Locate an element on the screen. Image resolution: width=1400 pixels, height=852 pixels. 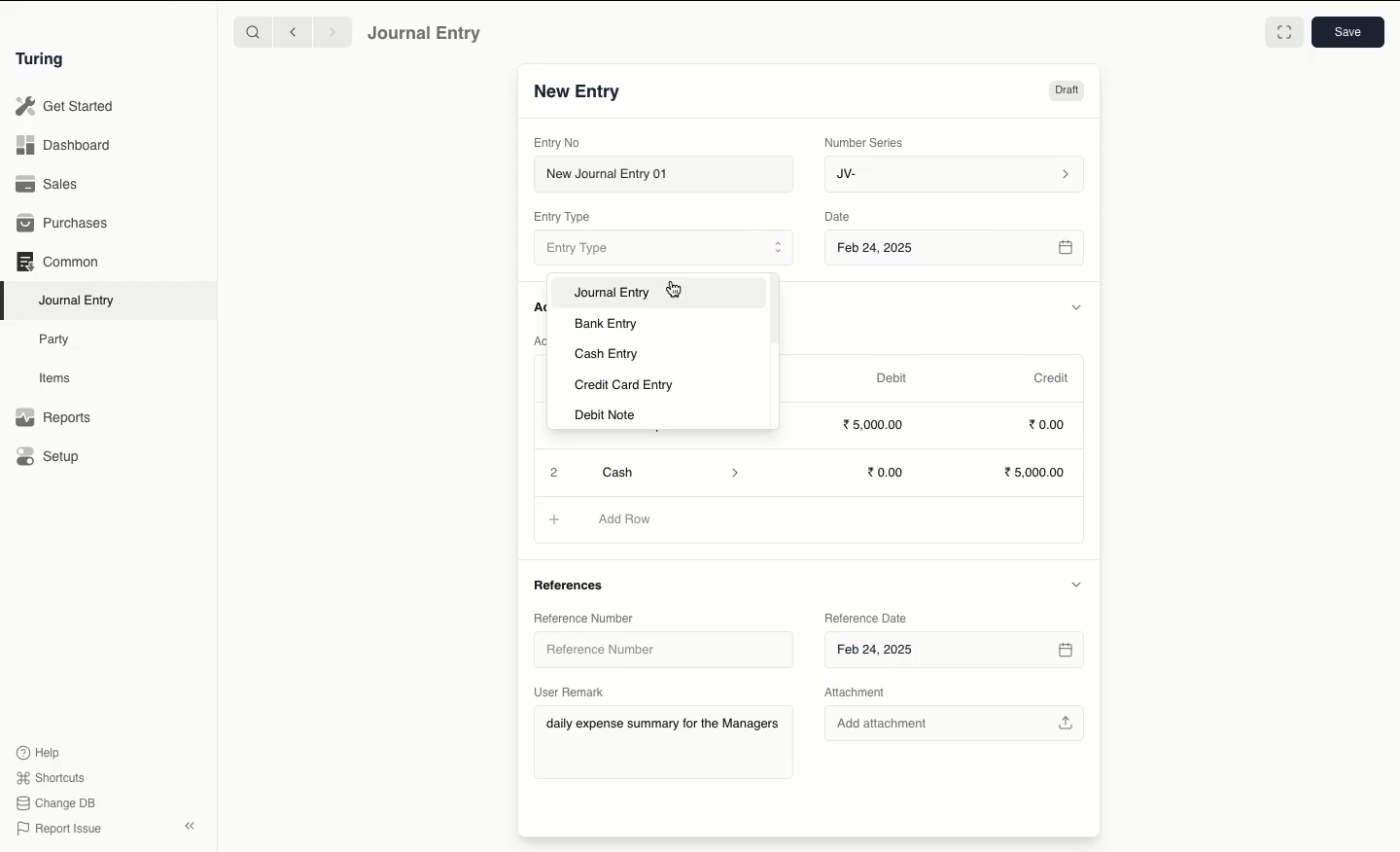
Party is located at coordinates (59, 340).